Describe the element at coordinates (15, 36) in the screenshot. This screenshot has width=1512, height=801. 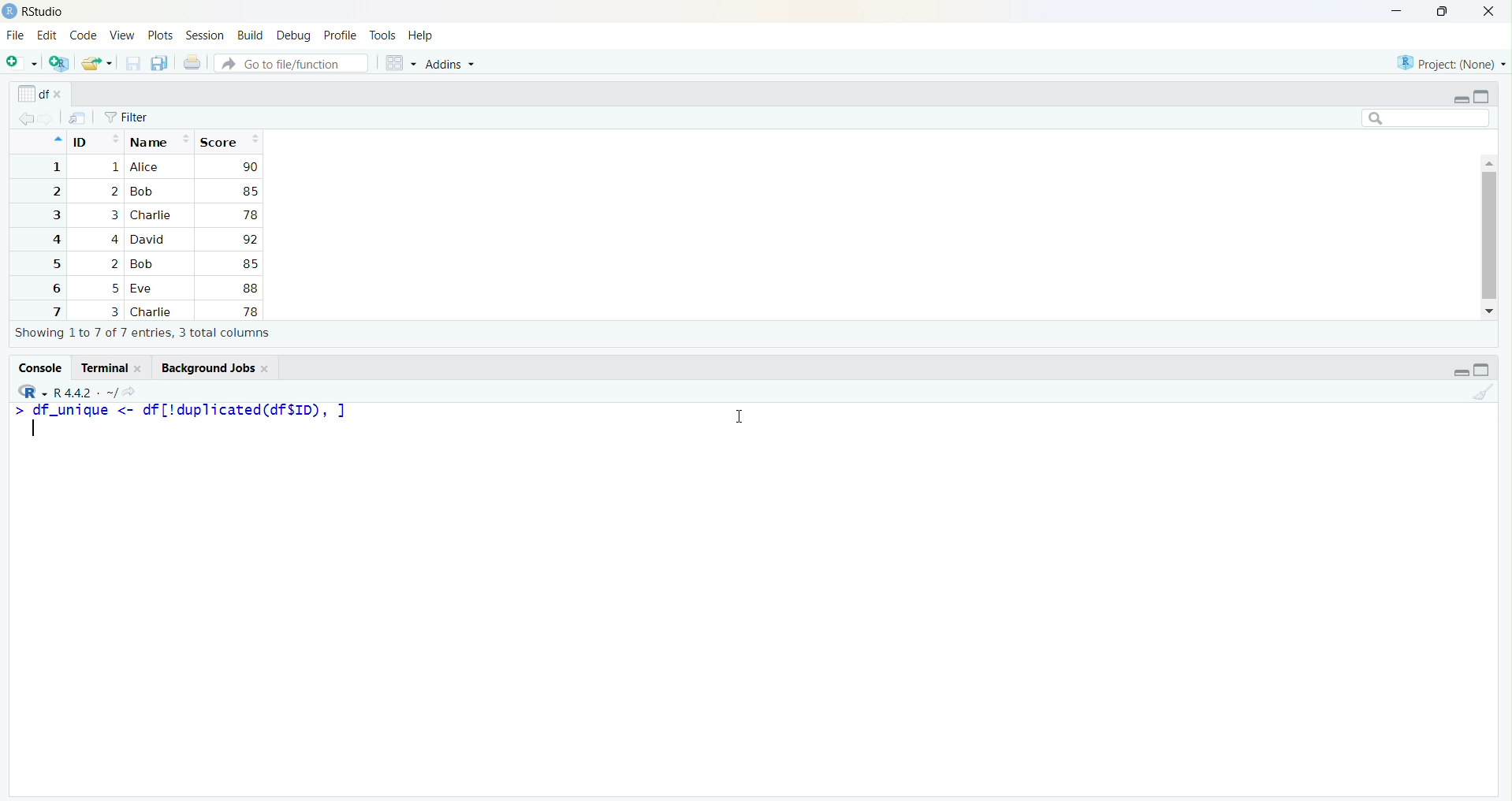
I see `File` at that location.